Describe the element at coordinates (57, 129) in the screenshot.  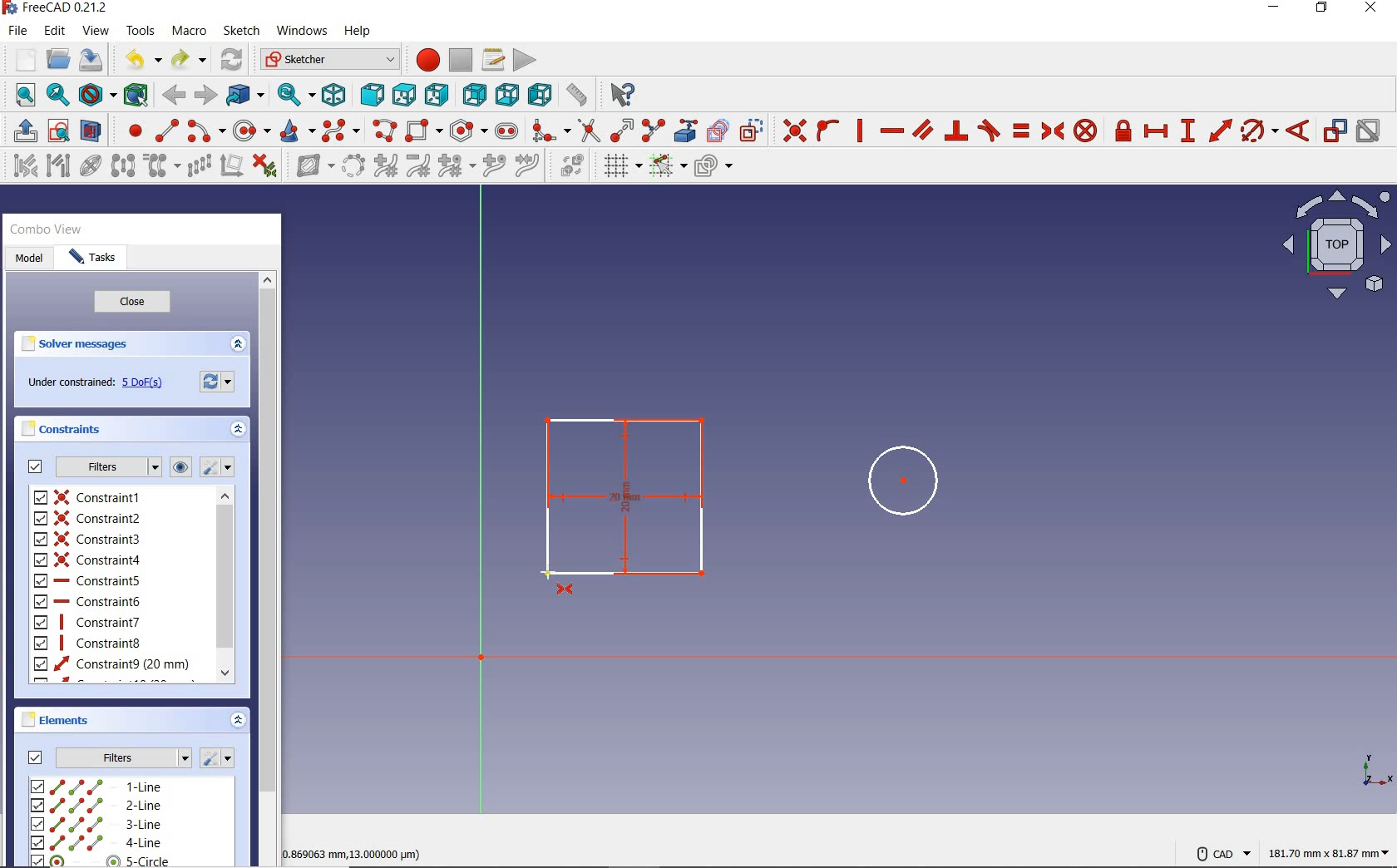
I see `create sketch` at that location.